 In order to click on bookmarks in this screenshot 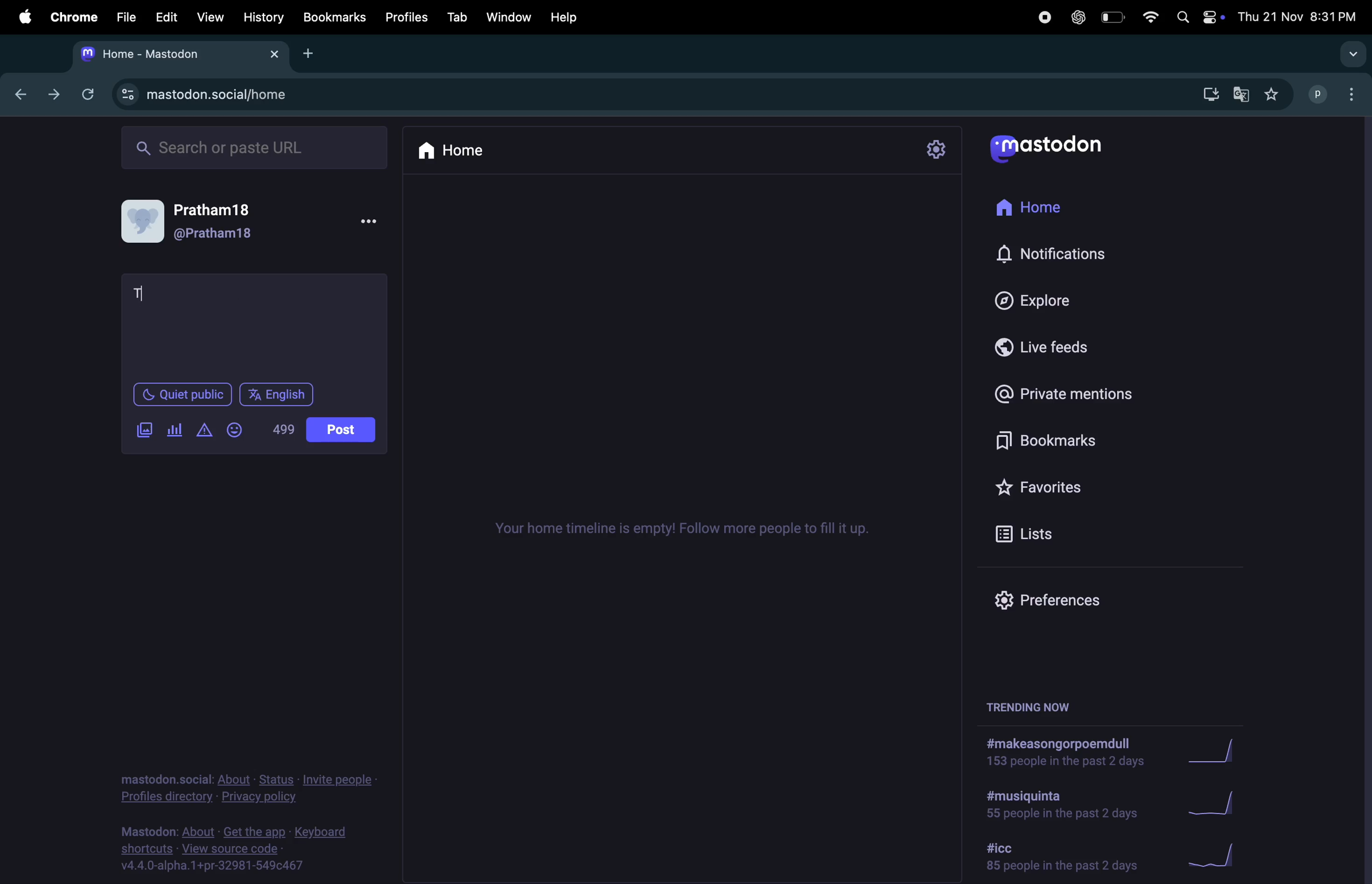, I will do `click(1045, 441)`.